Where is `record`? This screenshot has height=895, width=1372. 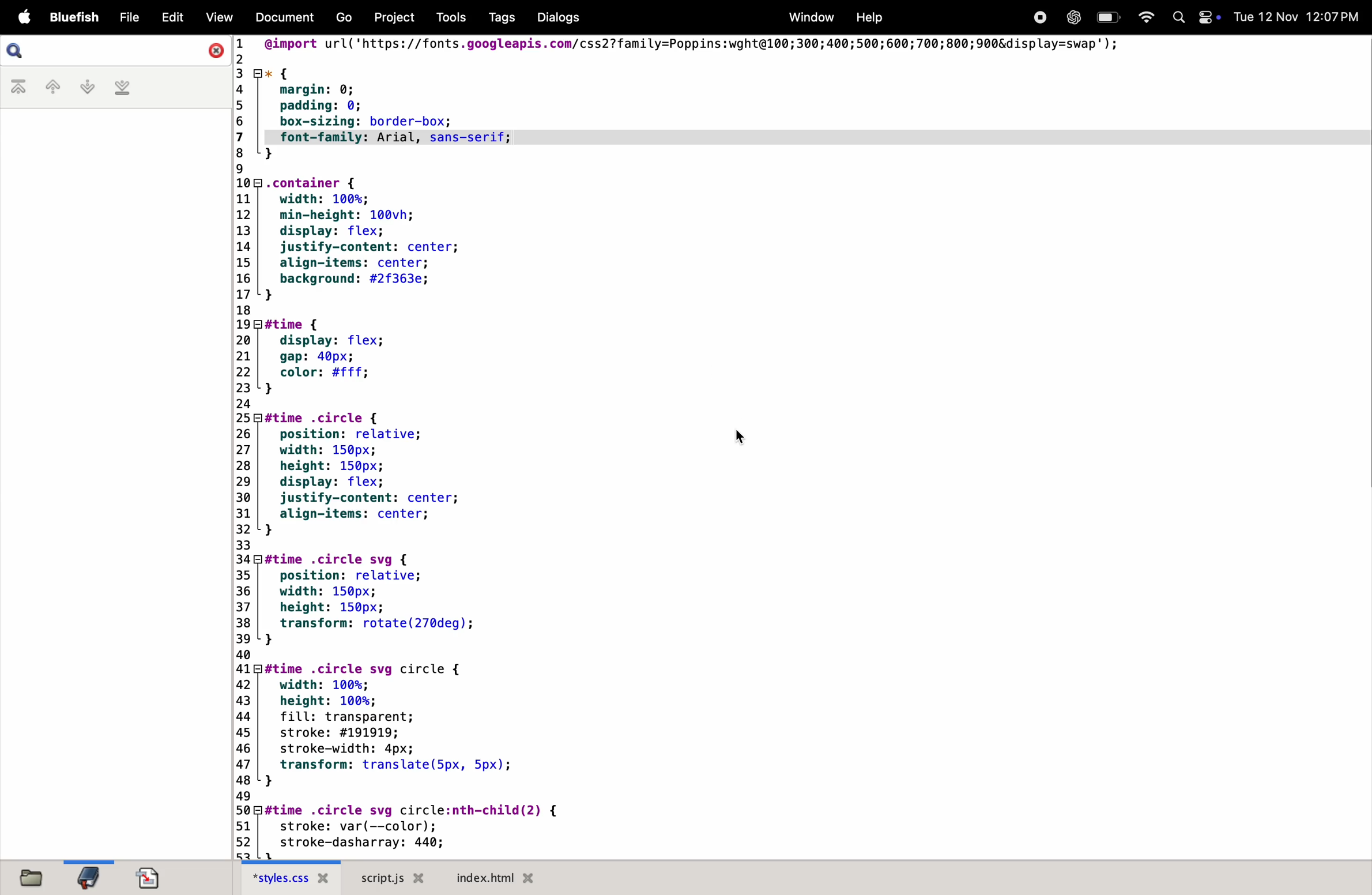 record is located at coordinates (1039, 17).